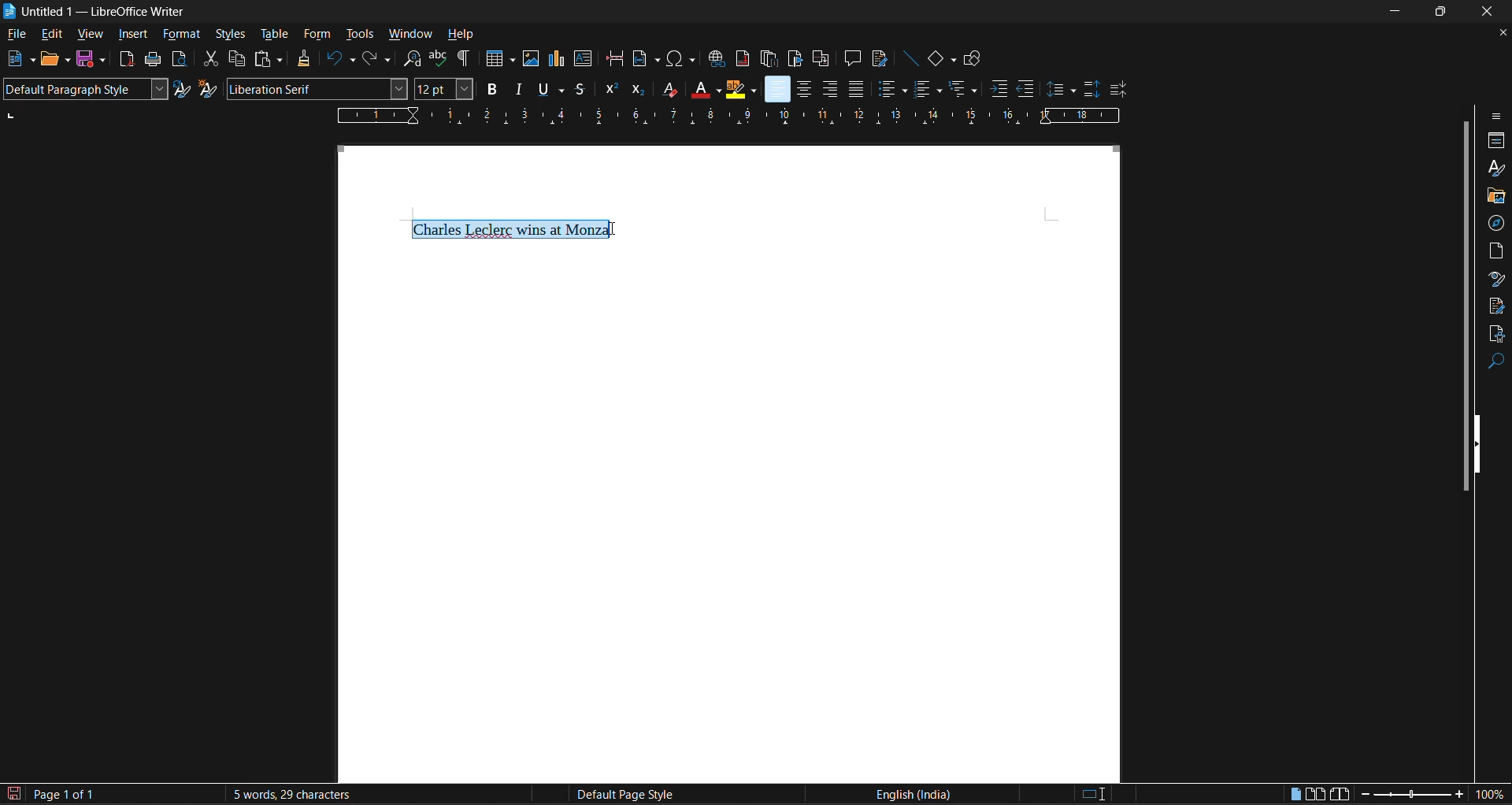 This screenshot has height=805, width=1512. Describe the element at coordinates (1120, 89) in the screenshot. I see `decrease paragraph spacing` at that location.